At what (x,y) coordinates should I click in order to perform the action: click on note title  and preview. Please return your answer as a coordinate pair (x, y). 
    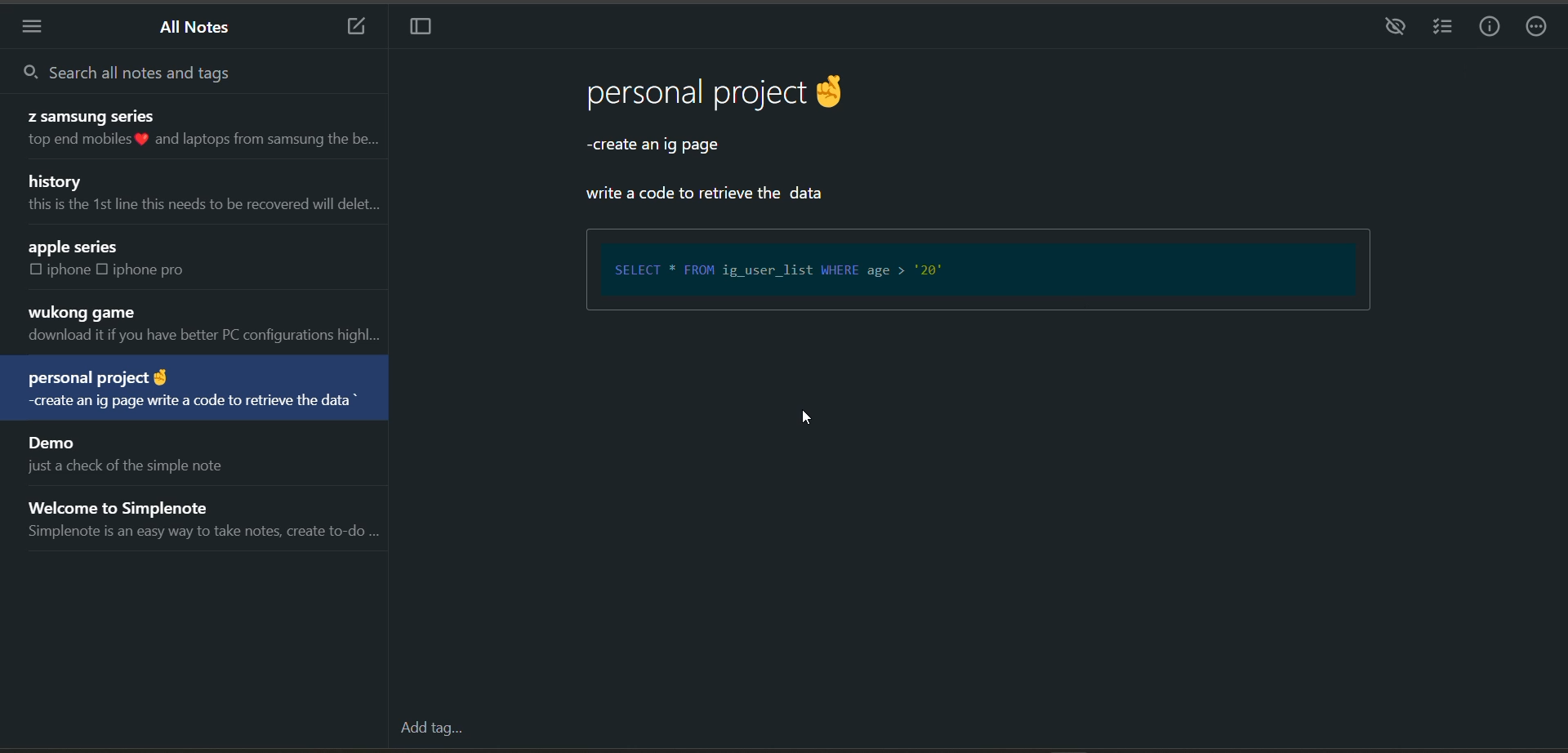
    Looking at the image, I should click on (191, 130).